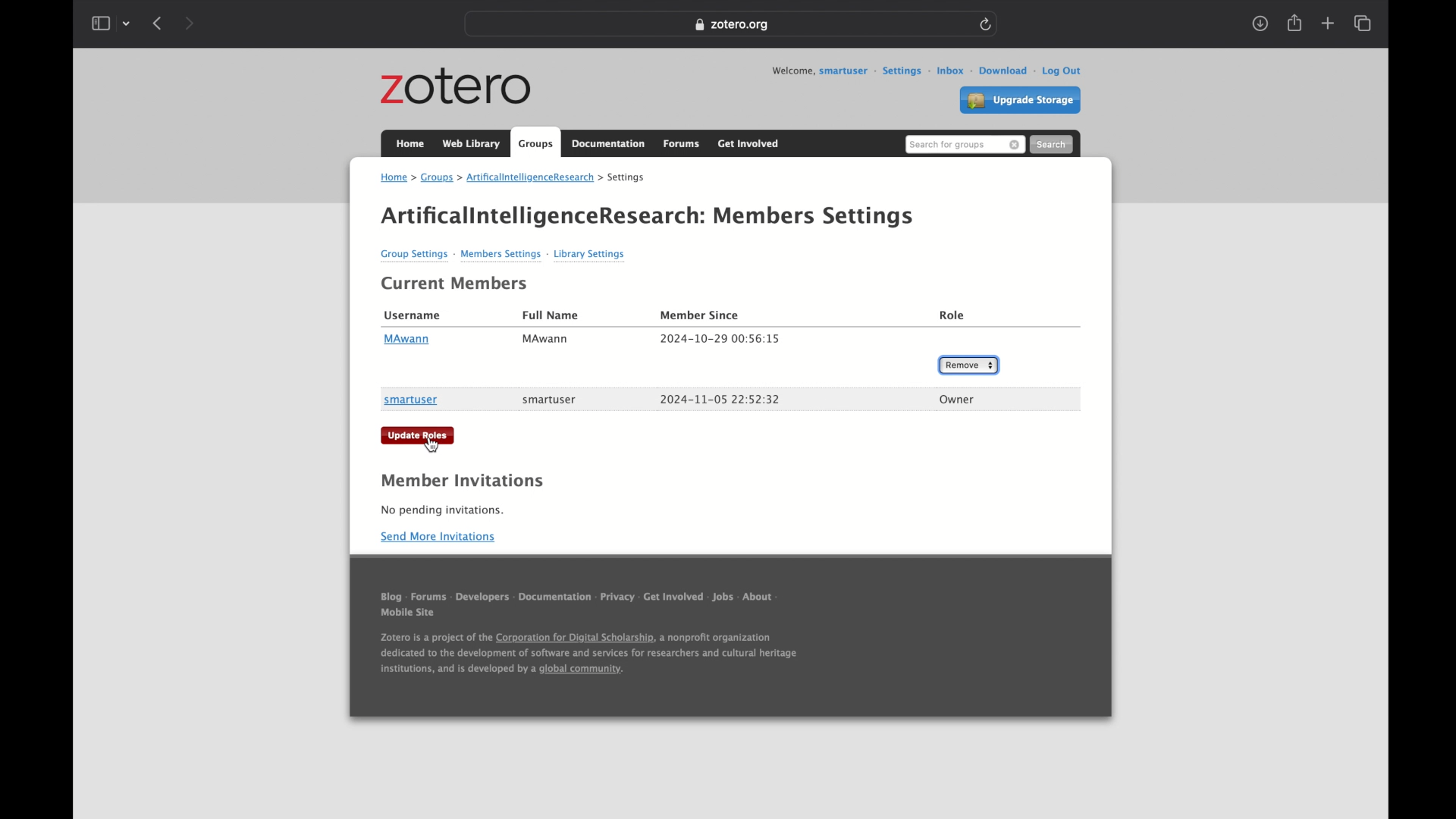  What do you see at coordinates (617, 601) in the screenshot?
I see `privacy` at bounding box center [617, 601].